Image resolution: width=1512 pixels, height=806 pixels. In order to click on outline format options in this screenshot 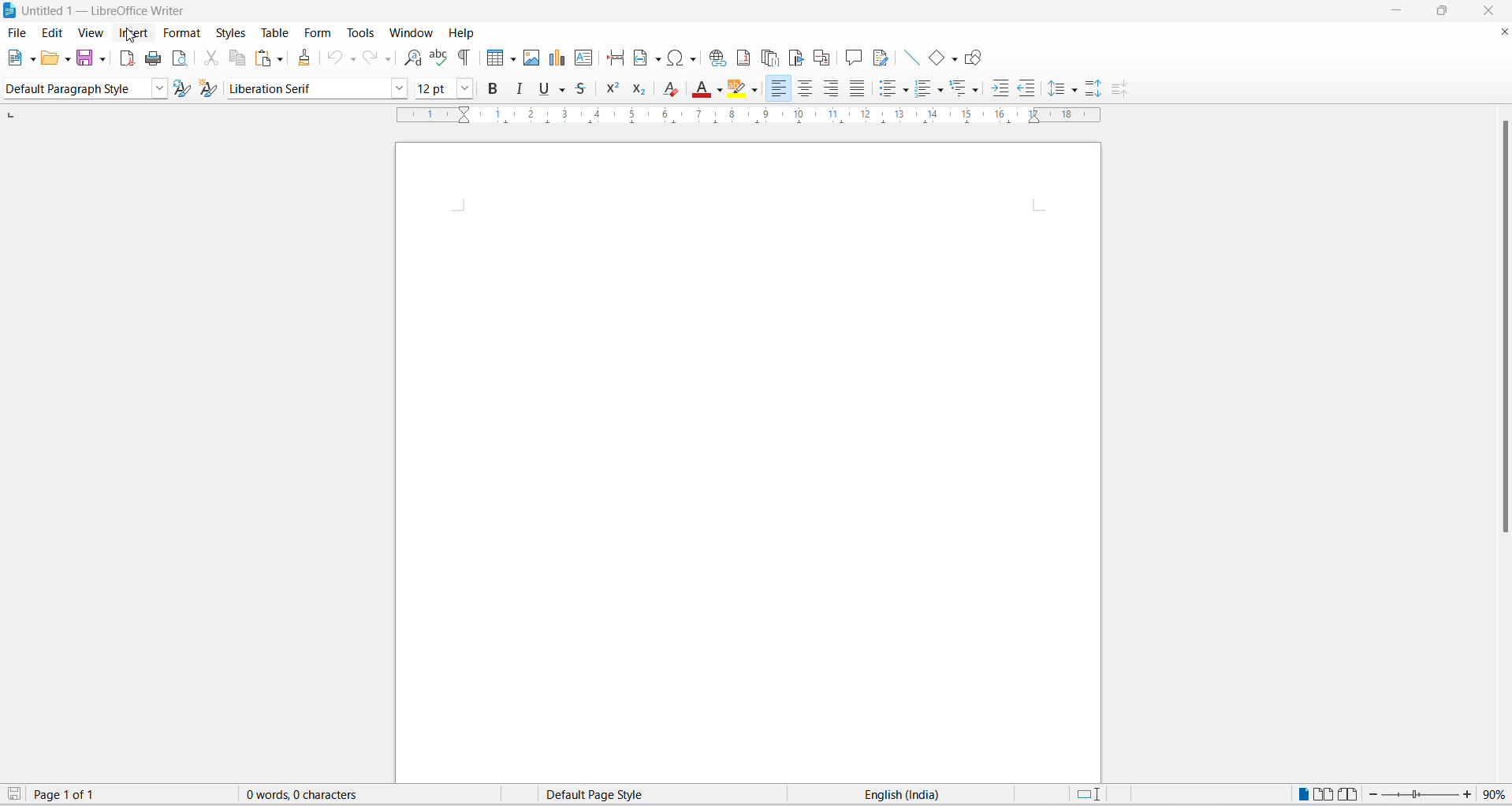, I will do `click(975, 91)`.